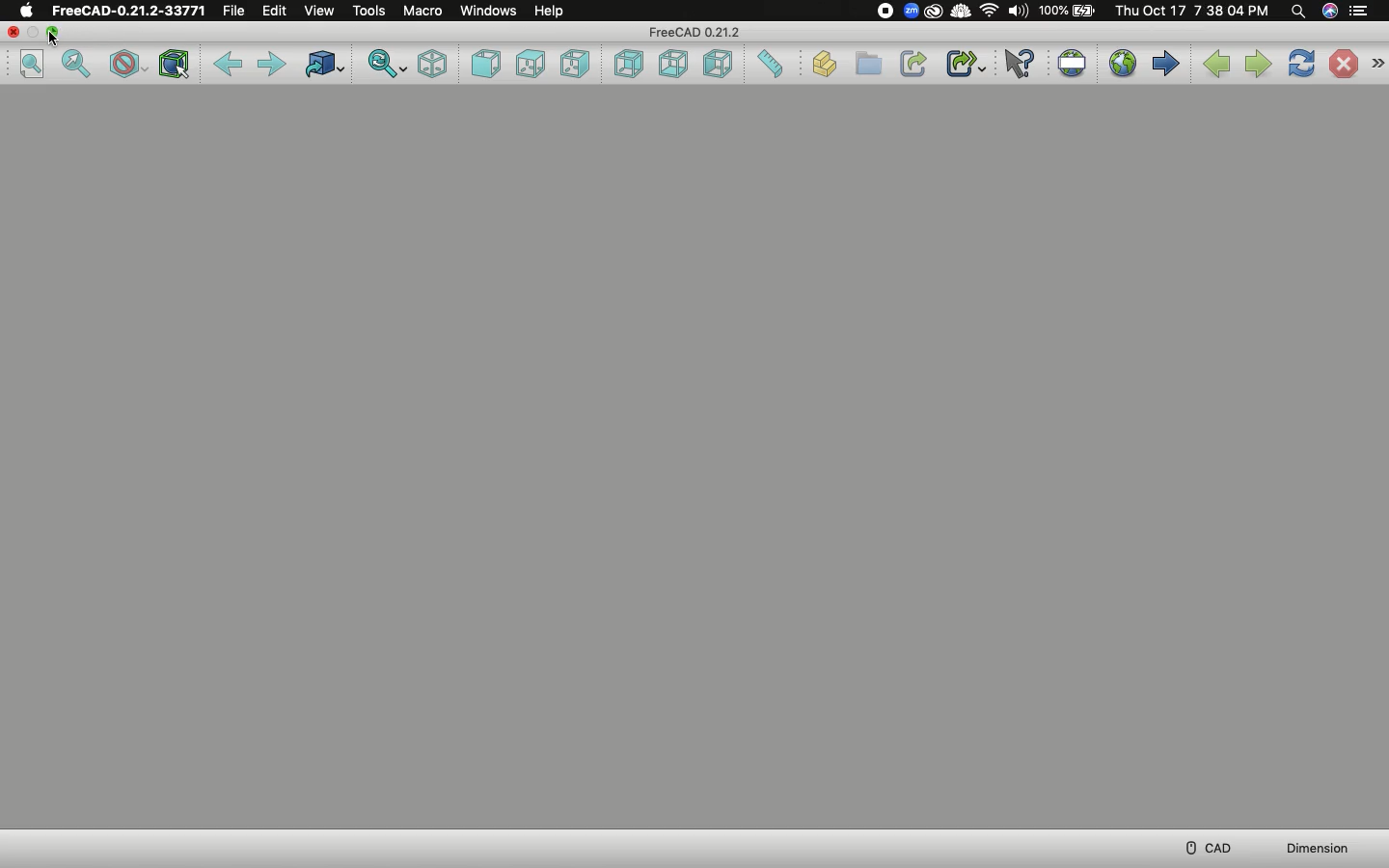 This screenshot has height=868, width=1389. Describe the element at coordinates (867, 66) in the screenshot. I see `Create group` at that location.